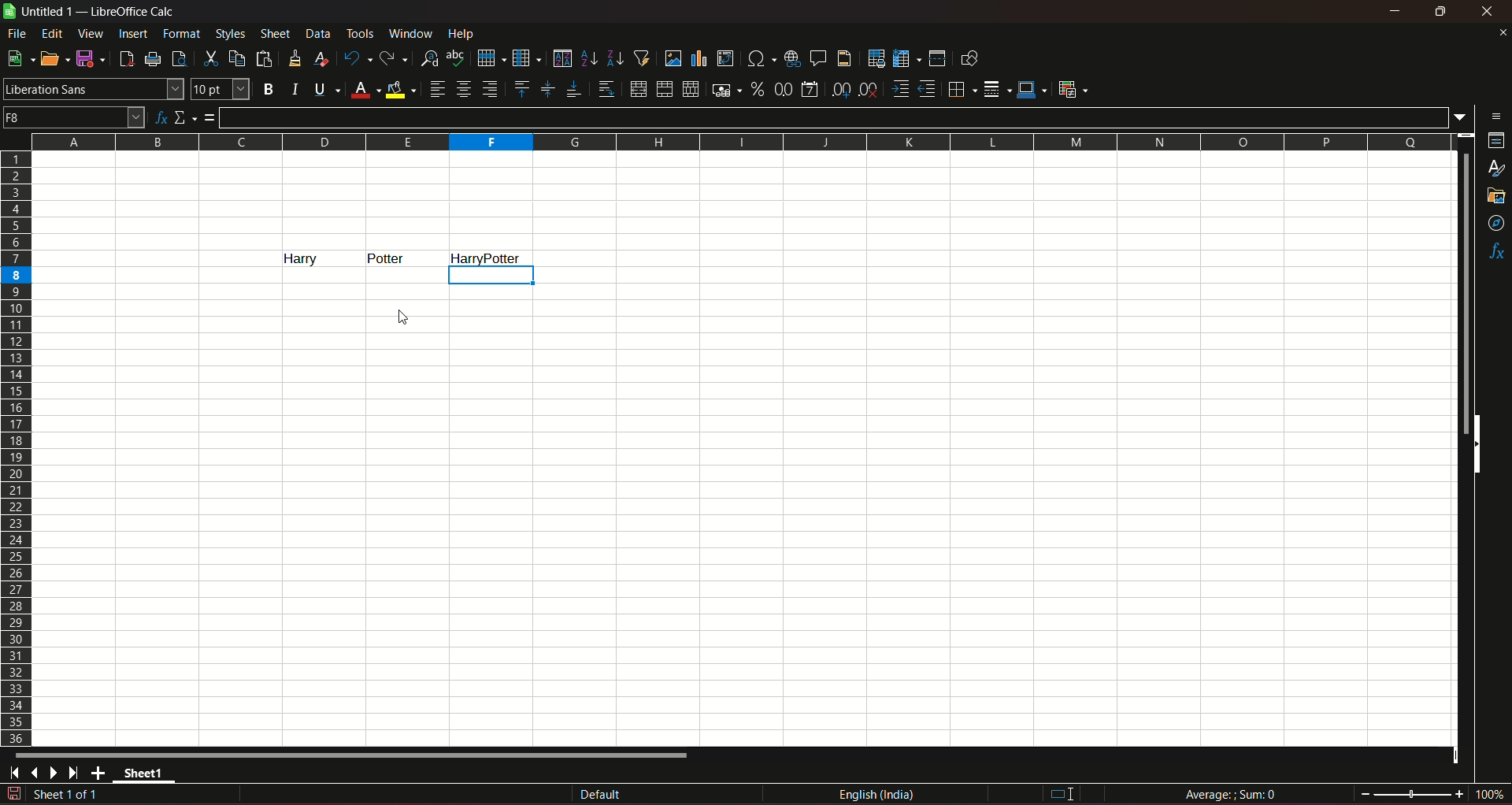 Image resolution: width=1512 pixels, height=805 pixels. What do you see at coordinates (547, 89) in the screenshot?
I see `center vertically` at bounding box center [547, 89].